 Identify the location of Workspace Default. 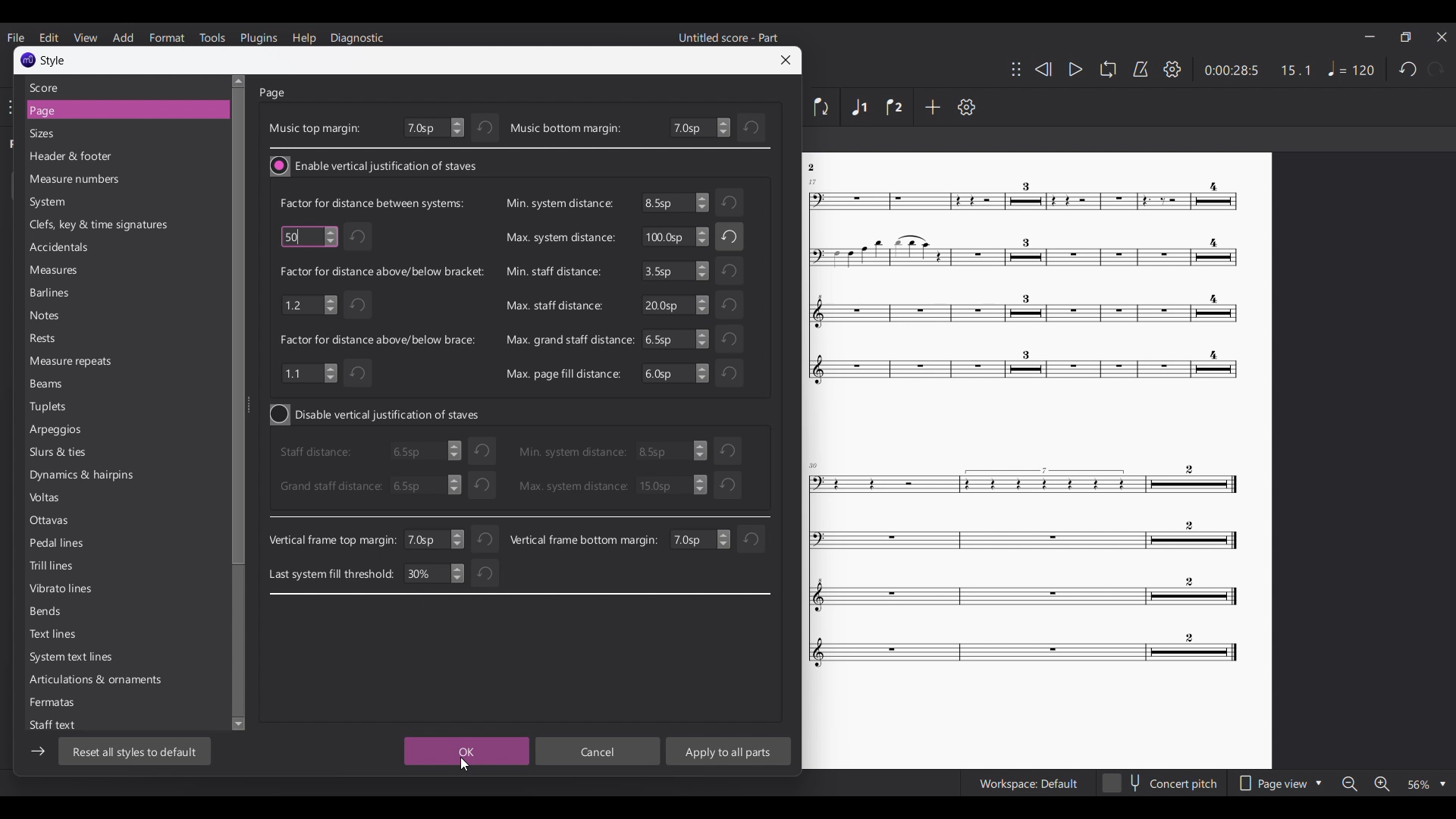
(1028, 784).